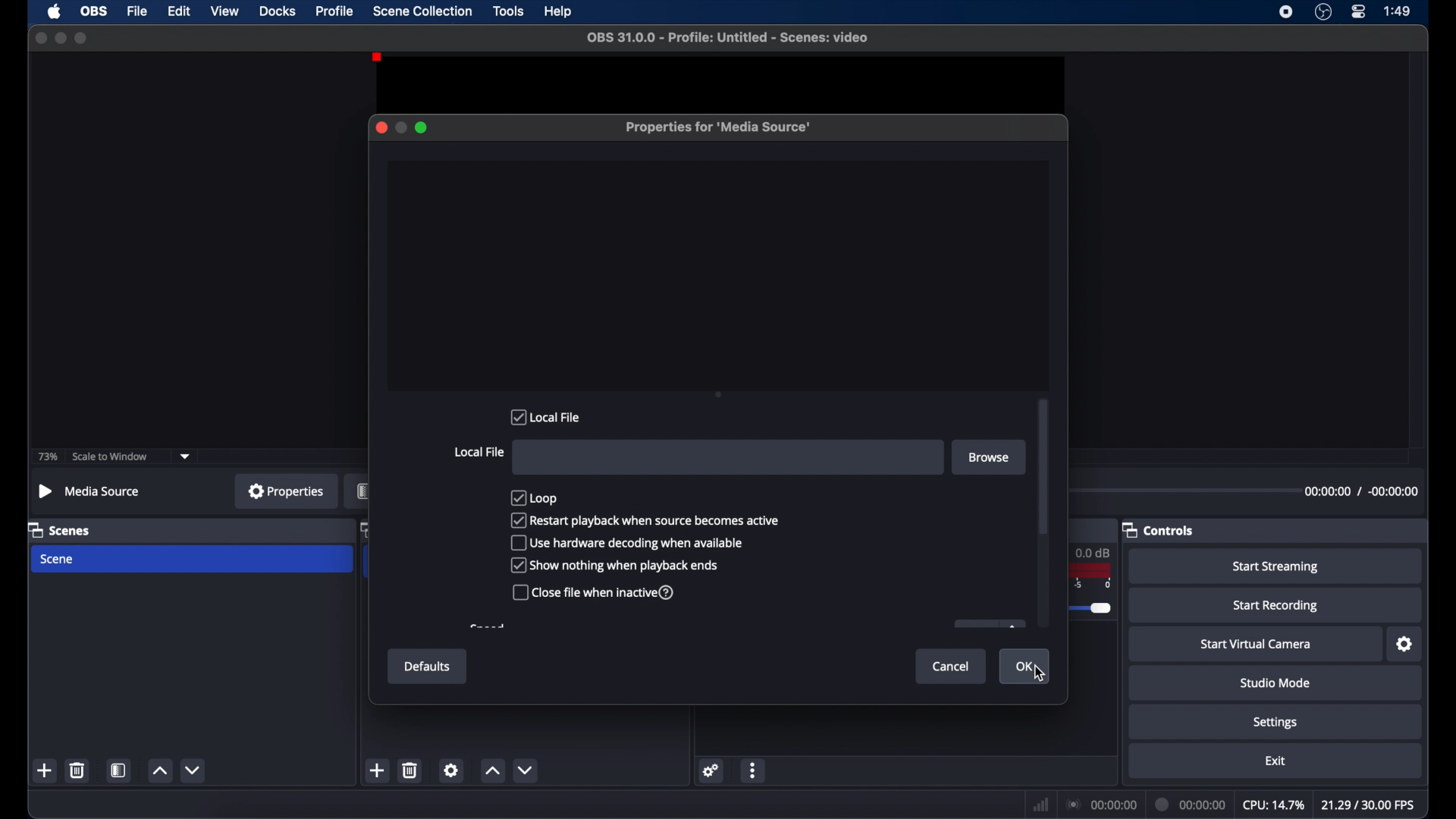 This screenshot has width=1456, height=819. I want to click on apple icon, so click(54, 12).